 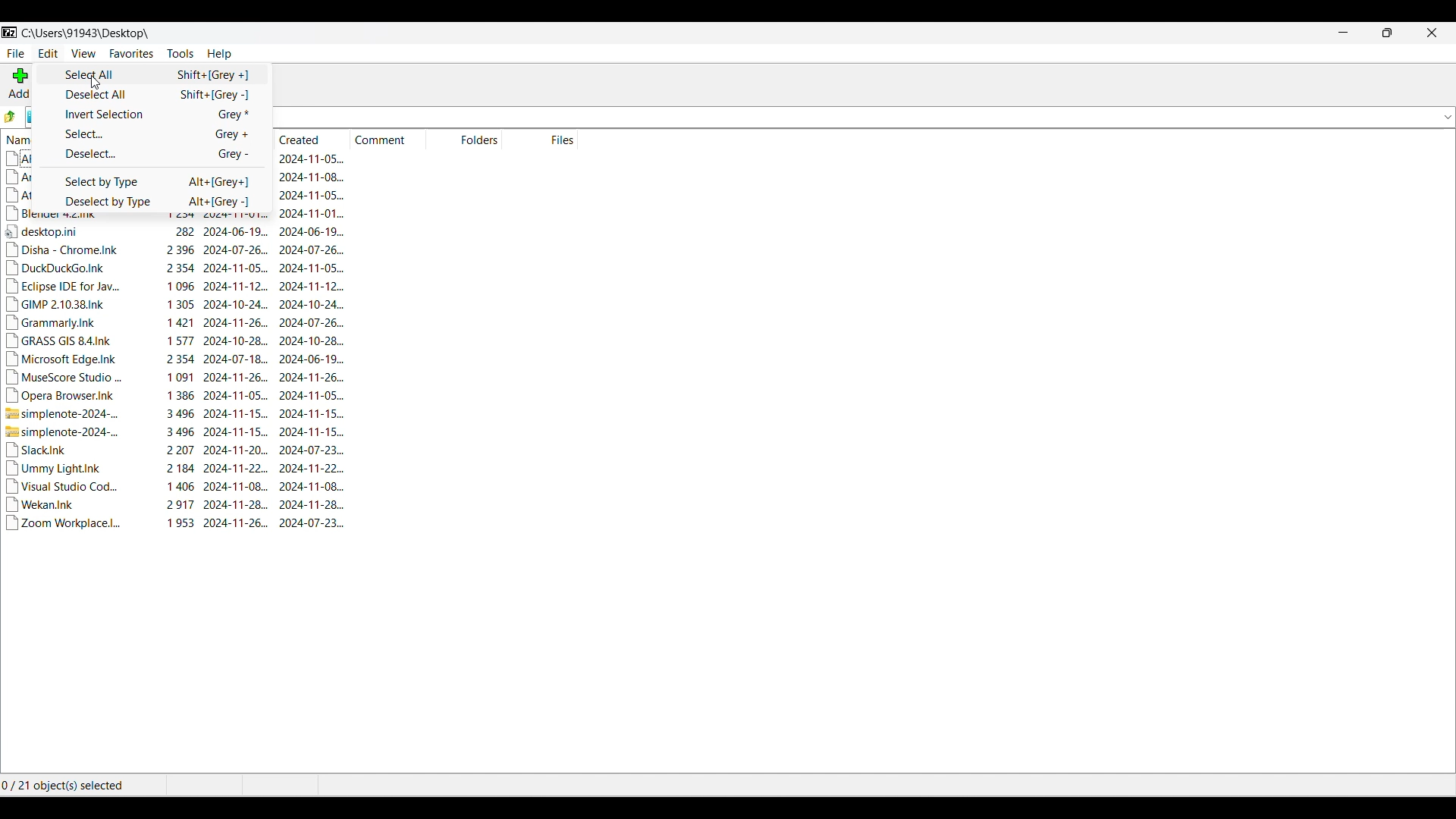 I want to click on Created column, so click(x=315, y=139).